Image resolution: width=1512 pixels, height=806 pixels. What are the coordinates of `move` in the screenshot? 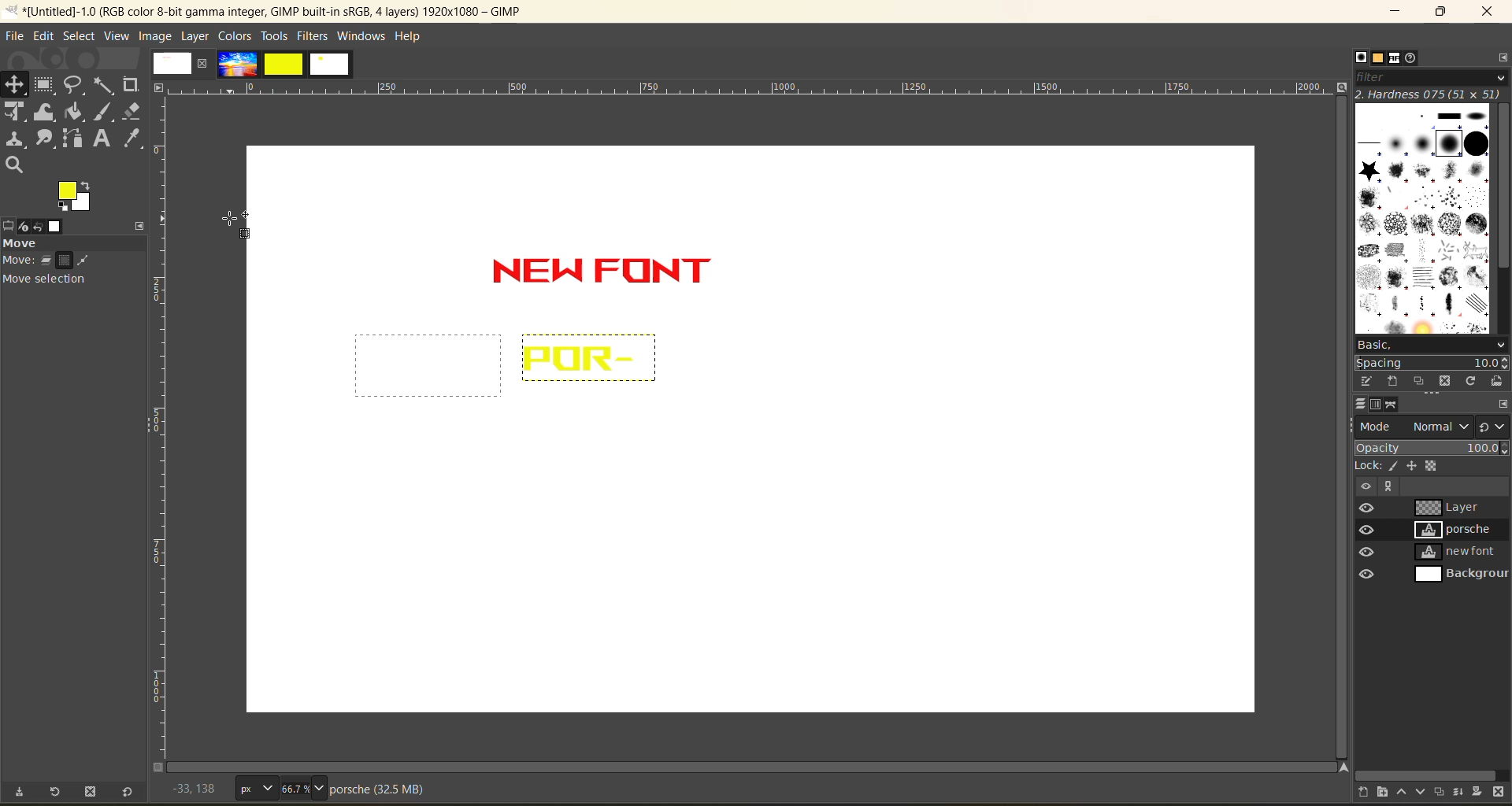 It's located at (71, 267).